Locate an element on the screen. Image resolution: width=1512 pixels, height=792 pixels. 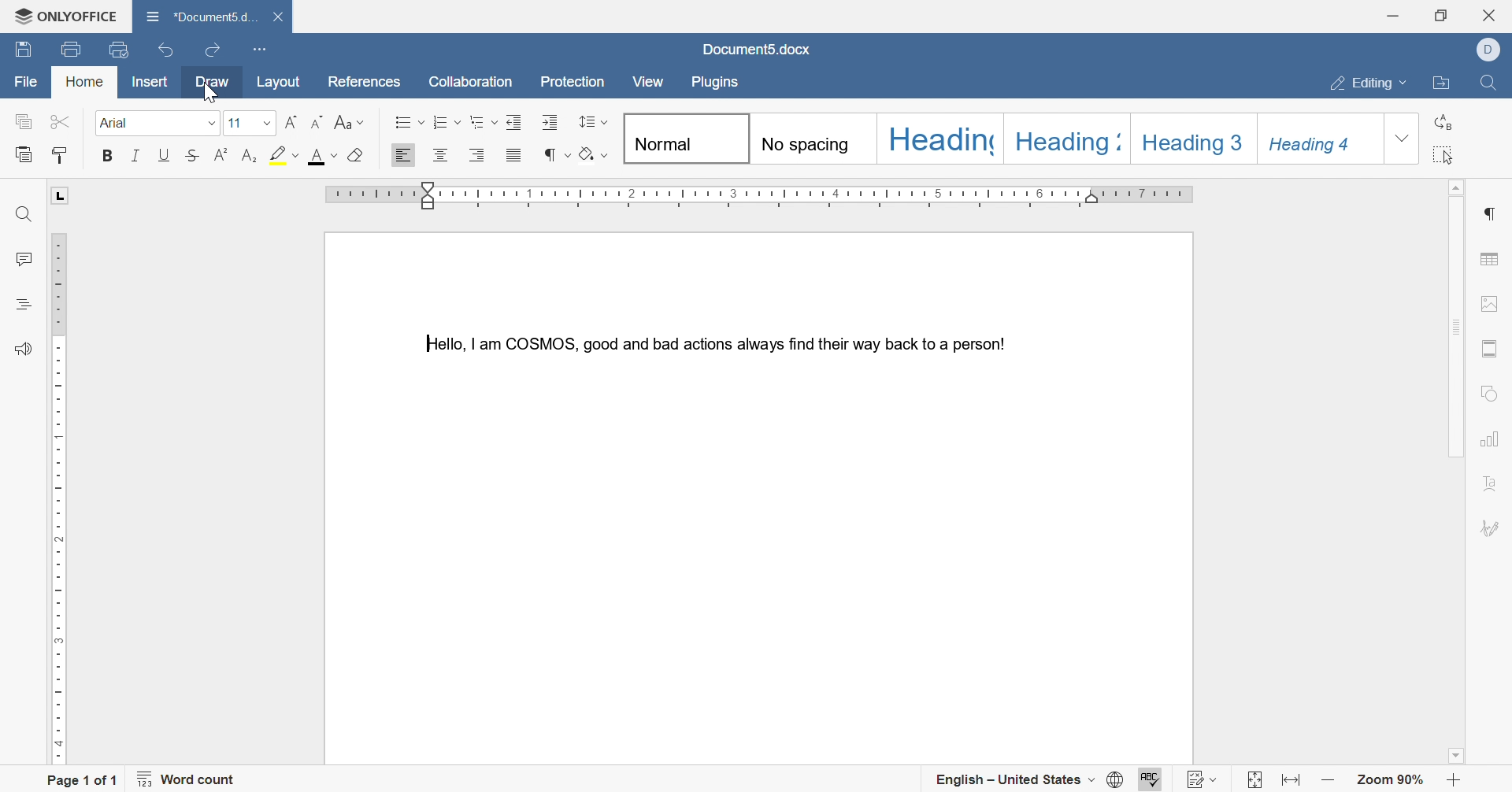
scroll up is located at coordinates (1461, 184).